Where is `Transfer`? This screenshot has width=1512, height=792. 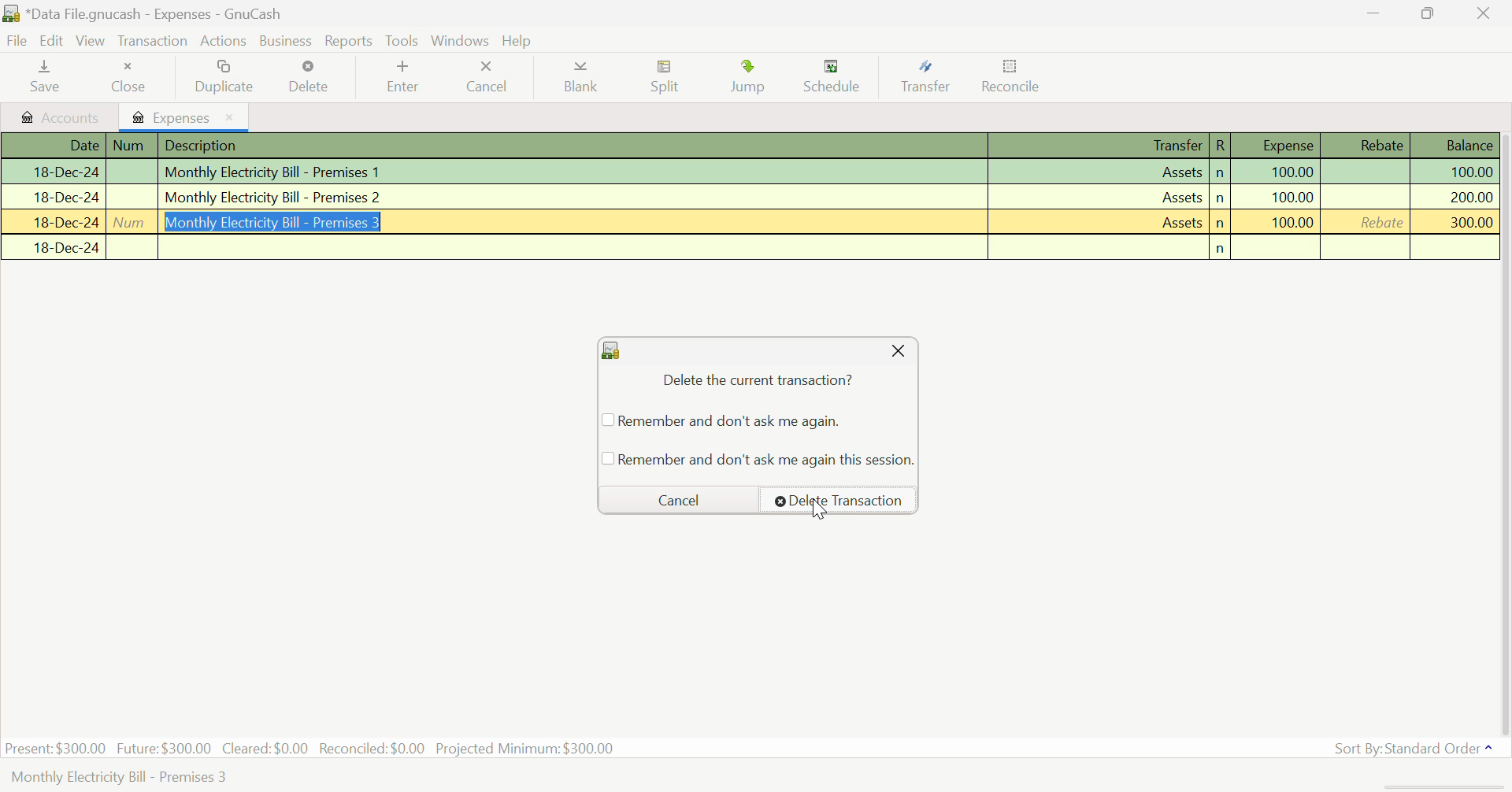 Transfer is located at coordinates (925, 77).